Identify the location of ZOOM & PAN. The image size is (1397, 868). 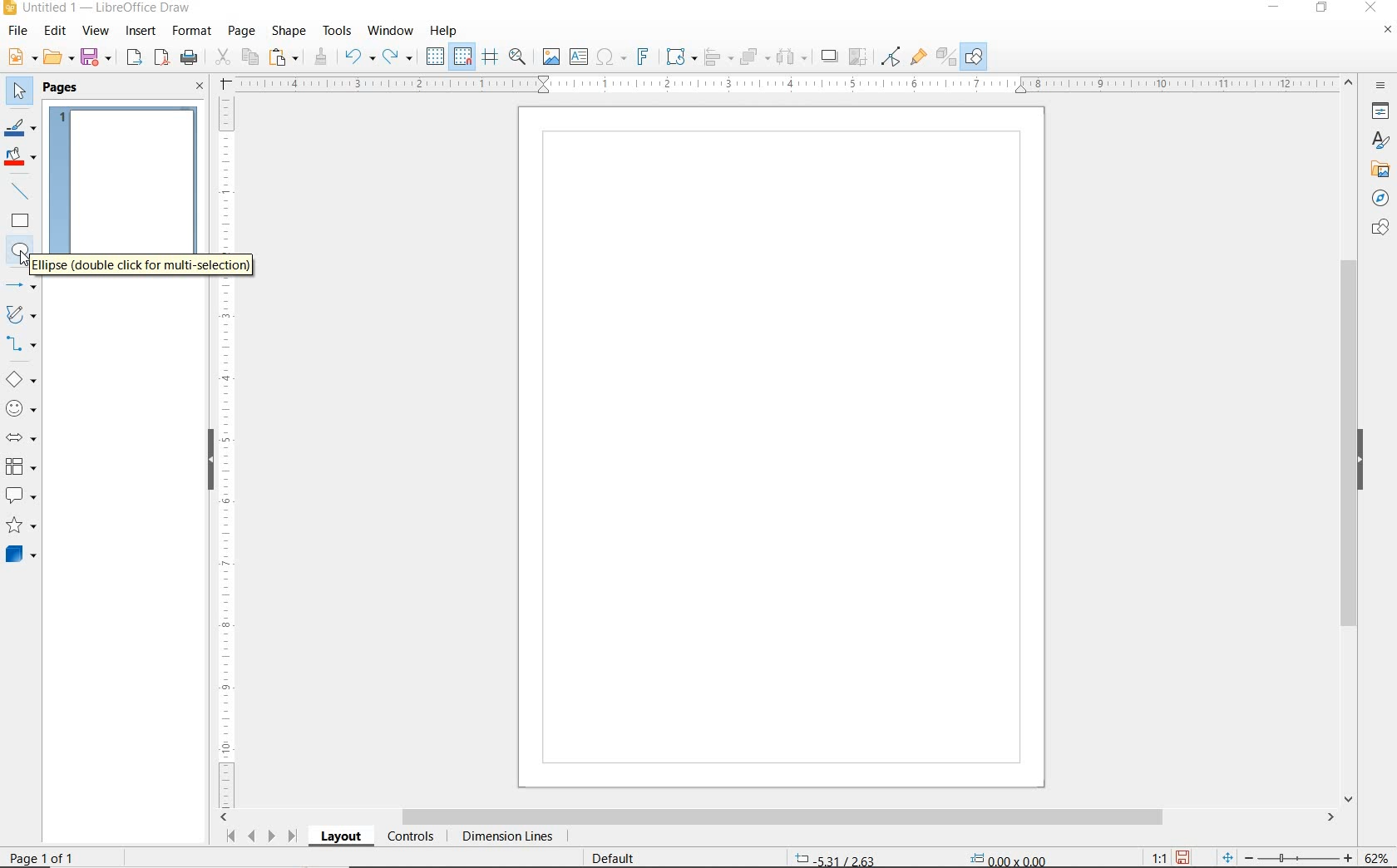
(517, 56).